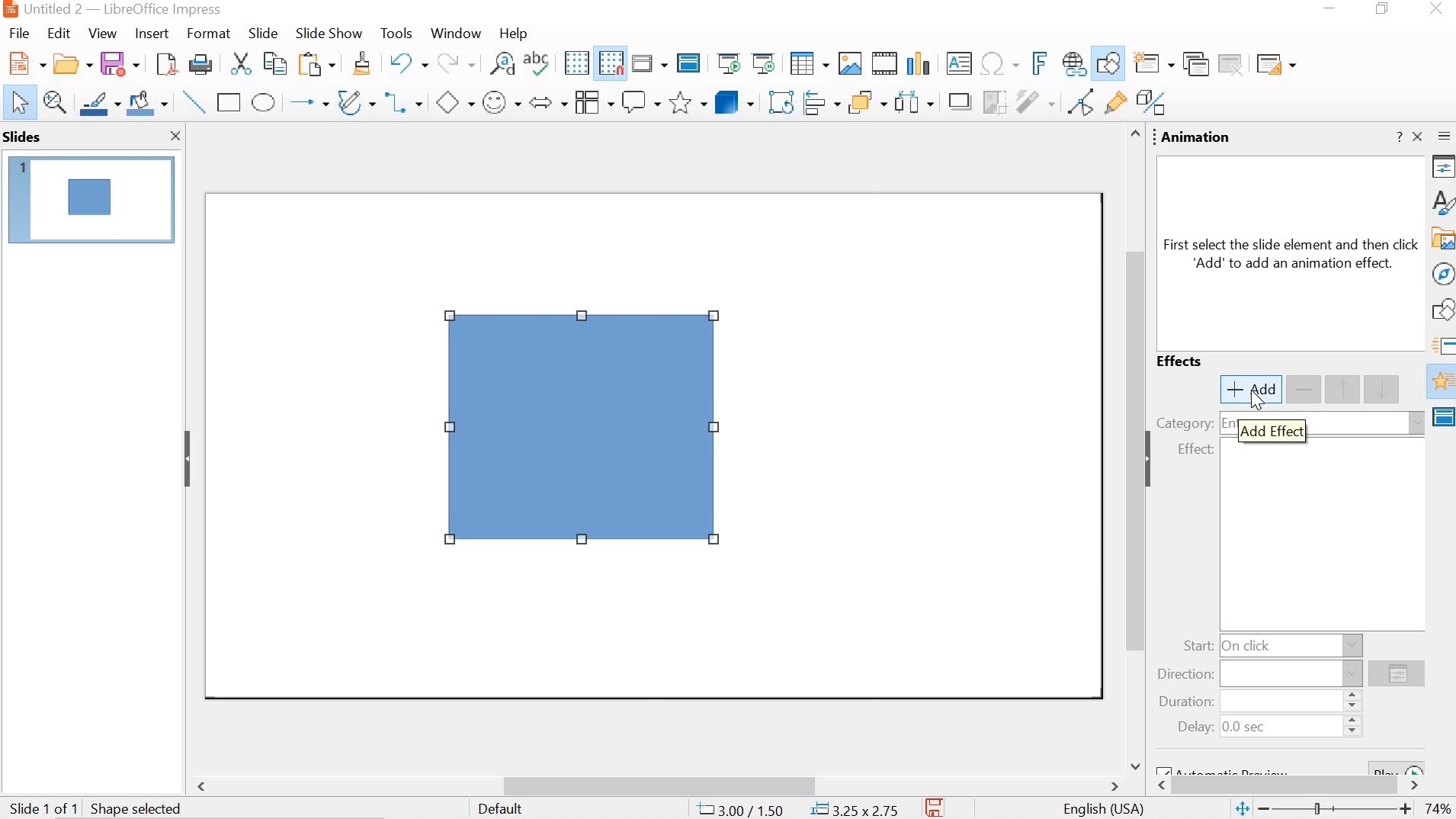  Describe the element at coordinates (1154, 461) in the screenshot. I see `hide` at that location.